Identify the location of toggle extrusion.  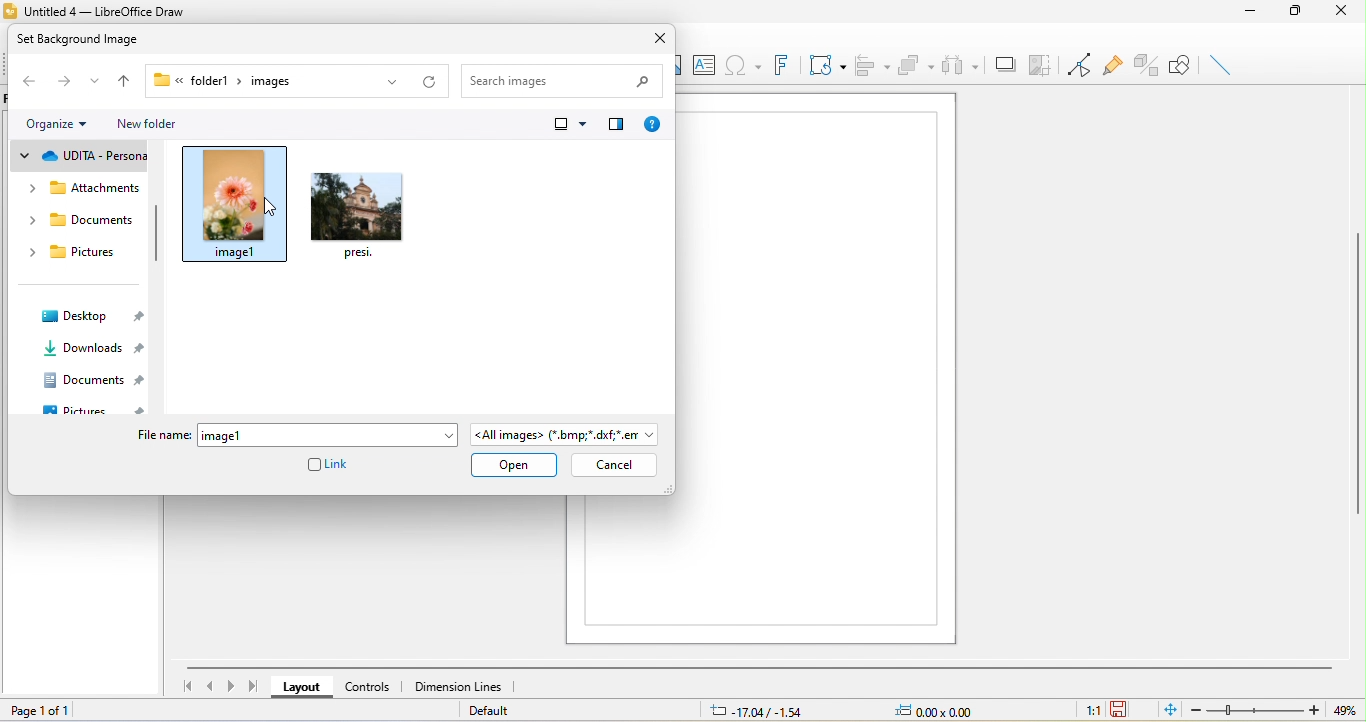
(1146, 64).